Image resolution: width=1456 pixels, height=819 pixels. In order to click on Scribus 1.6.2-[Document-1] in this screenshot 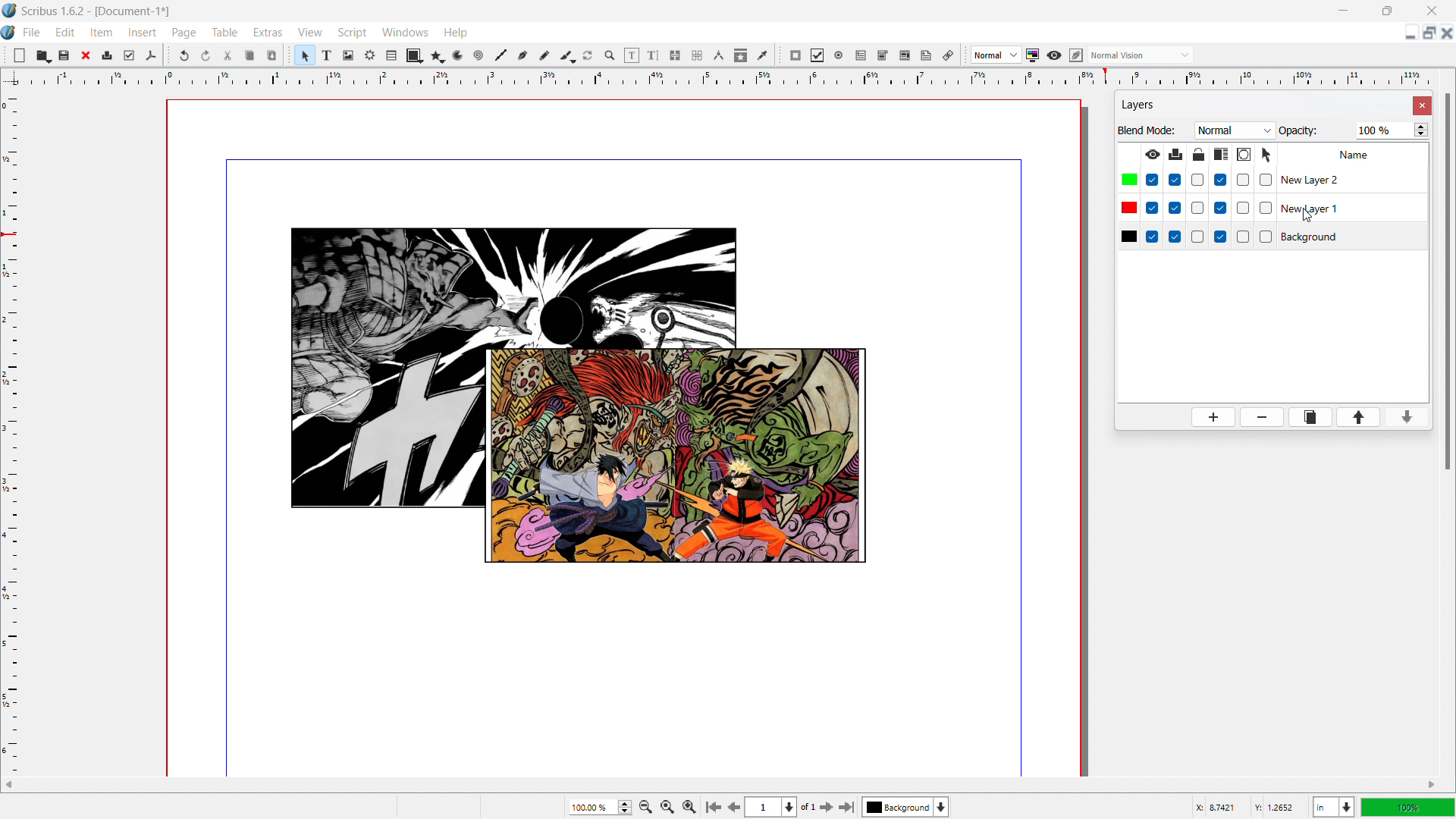, I will do `click(102, 10)`.